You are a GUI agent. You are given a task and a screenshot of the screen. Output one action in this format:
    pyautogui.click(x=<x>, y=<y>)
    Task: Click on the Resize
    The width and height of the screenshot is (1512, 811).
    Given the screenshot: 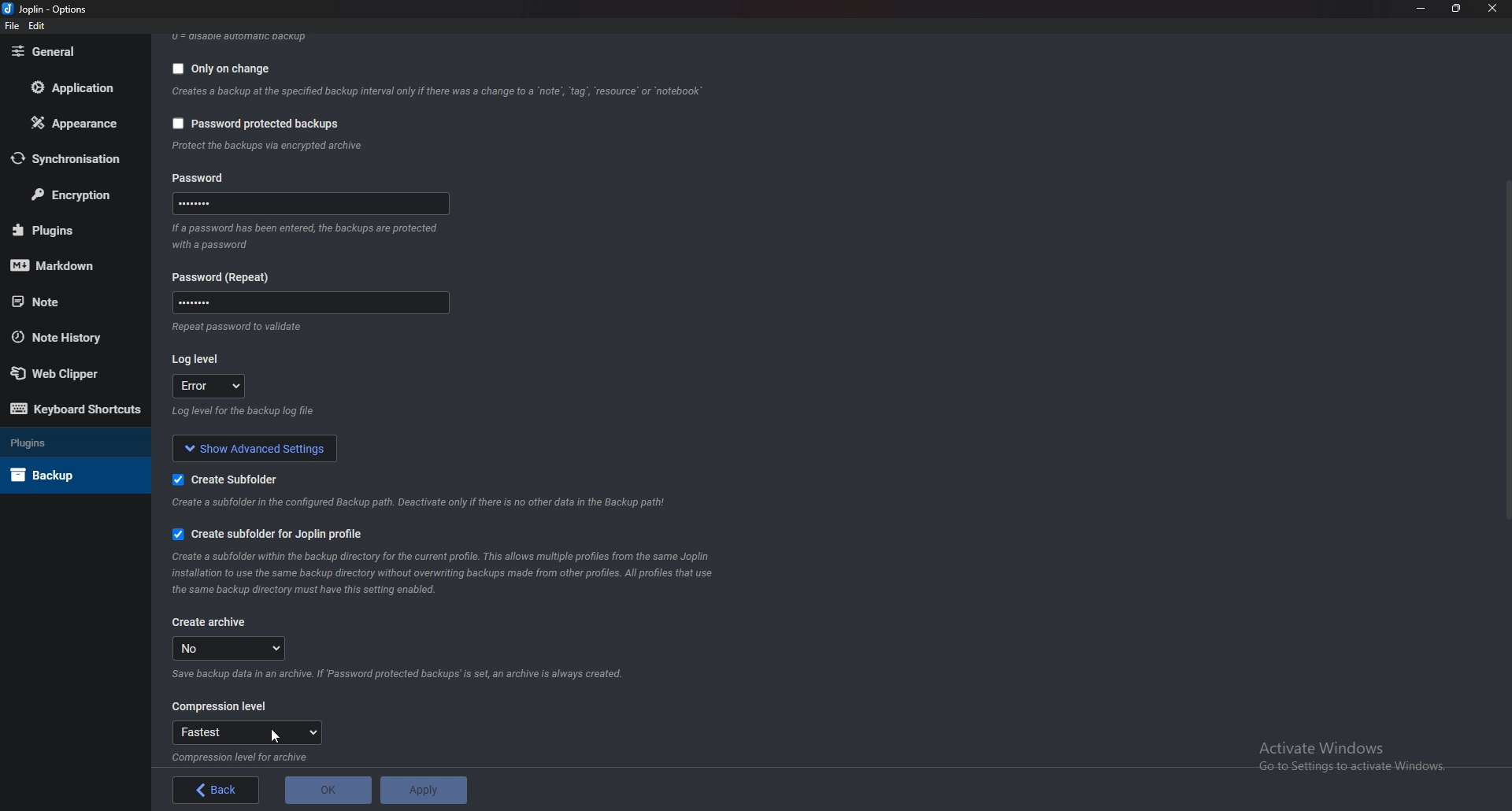 What is the action you would take?
    pyautogui.click(x=1458, y=8)
    